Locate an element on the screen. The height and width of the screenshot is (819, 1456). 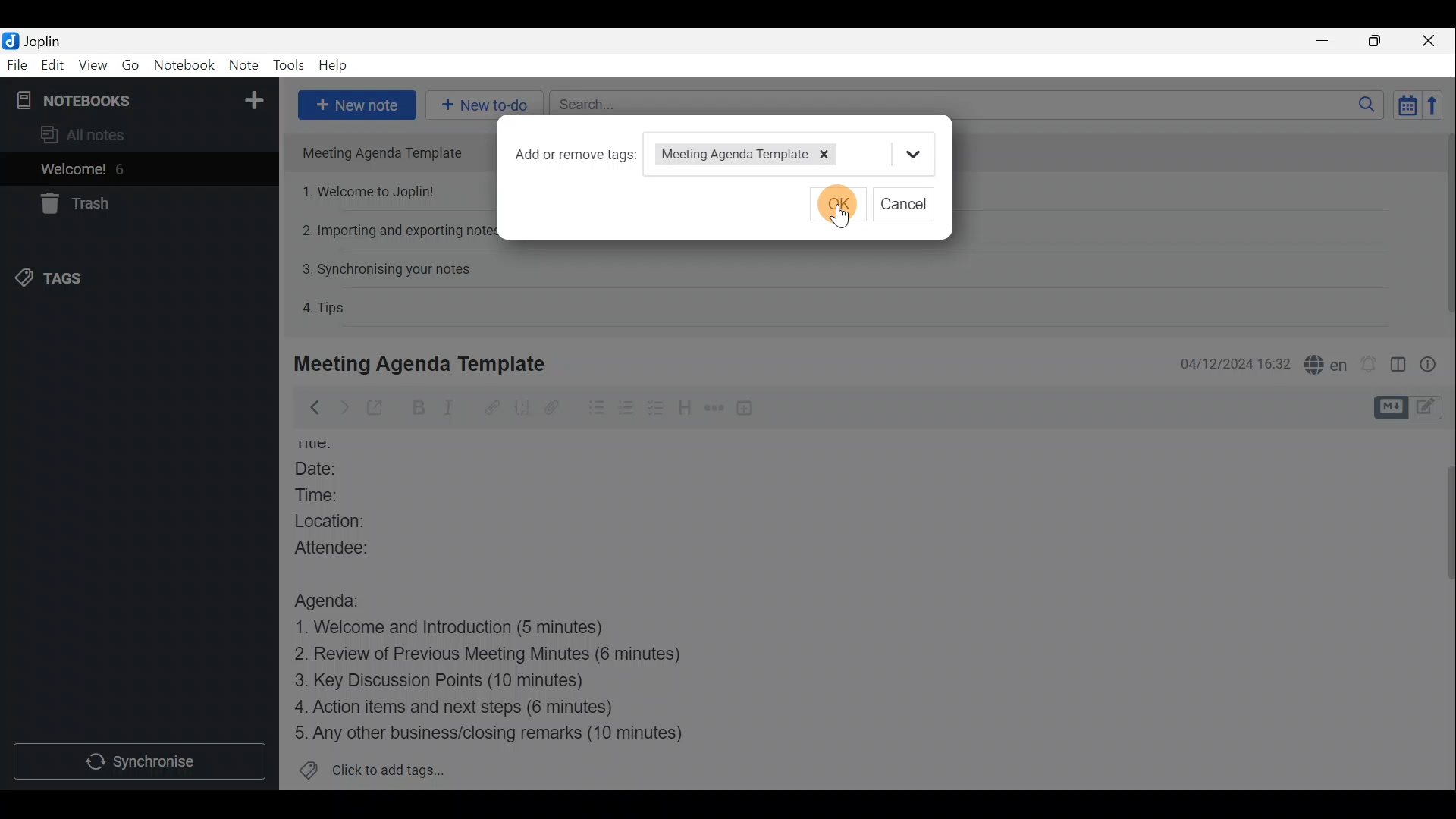
Date: is located at coordinates (334, 470).